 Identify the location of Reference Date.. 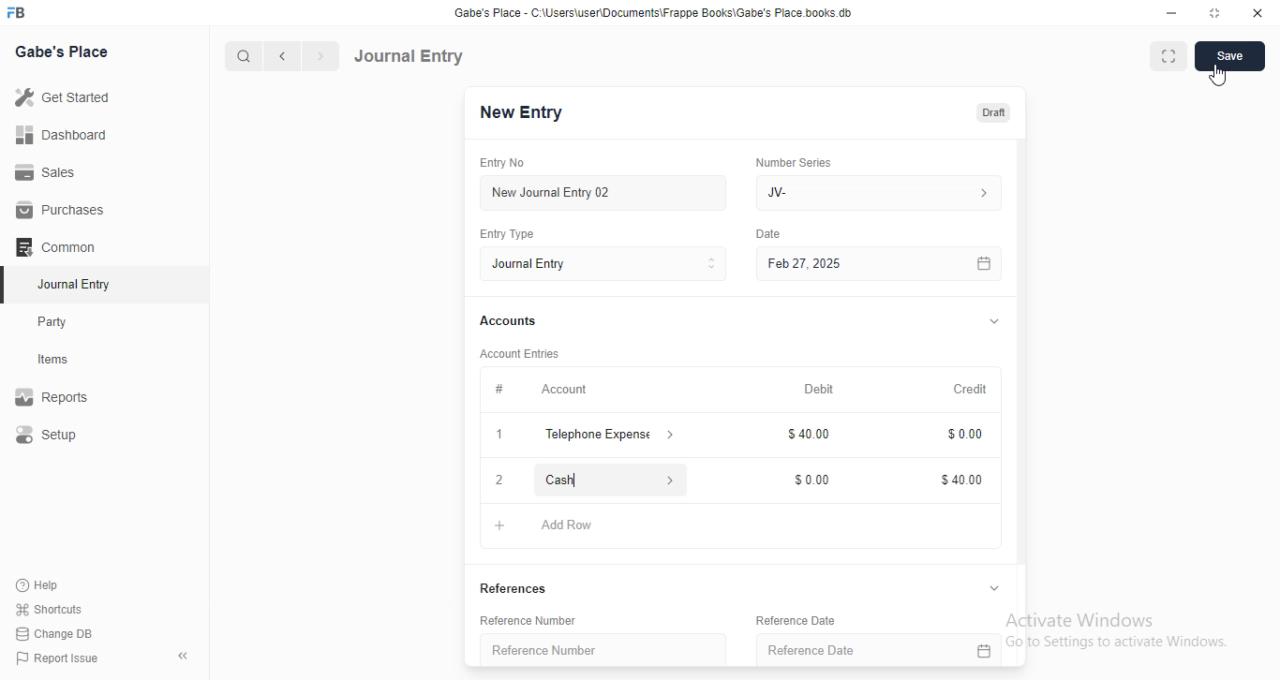
(879, 647).